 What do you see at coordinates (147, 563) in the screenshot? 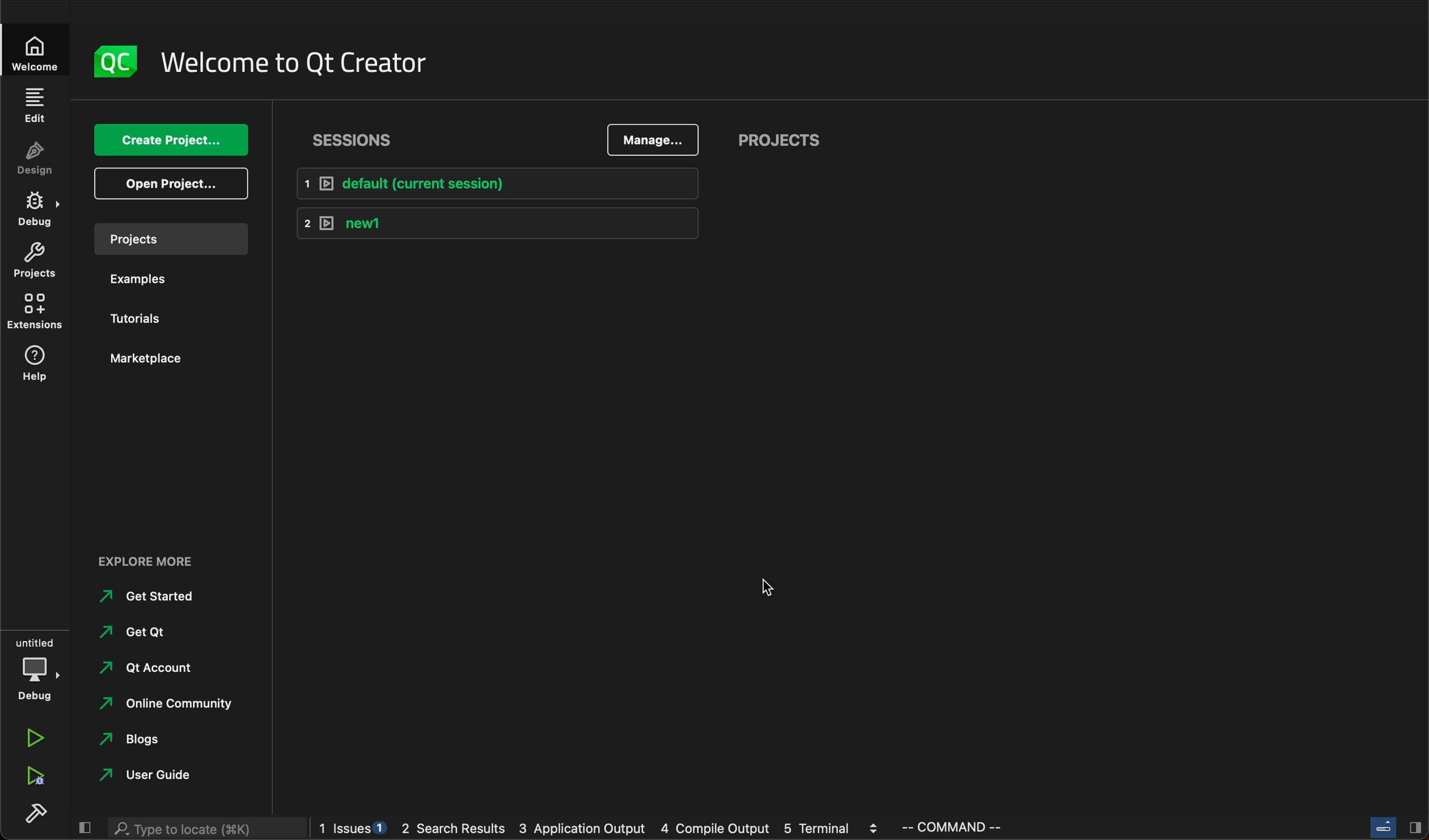
I see `explore` at bounding box center [147, 563].